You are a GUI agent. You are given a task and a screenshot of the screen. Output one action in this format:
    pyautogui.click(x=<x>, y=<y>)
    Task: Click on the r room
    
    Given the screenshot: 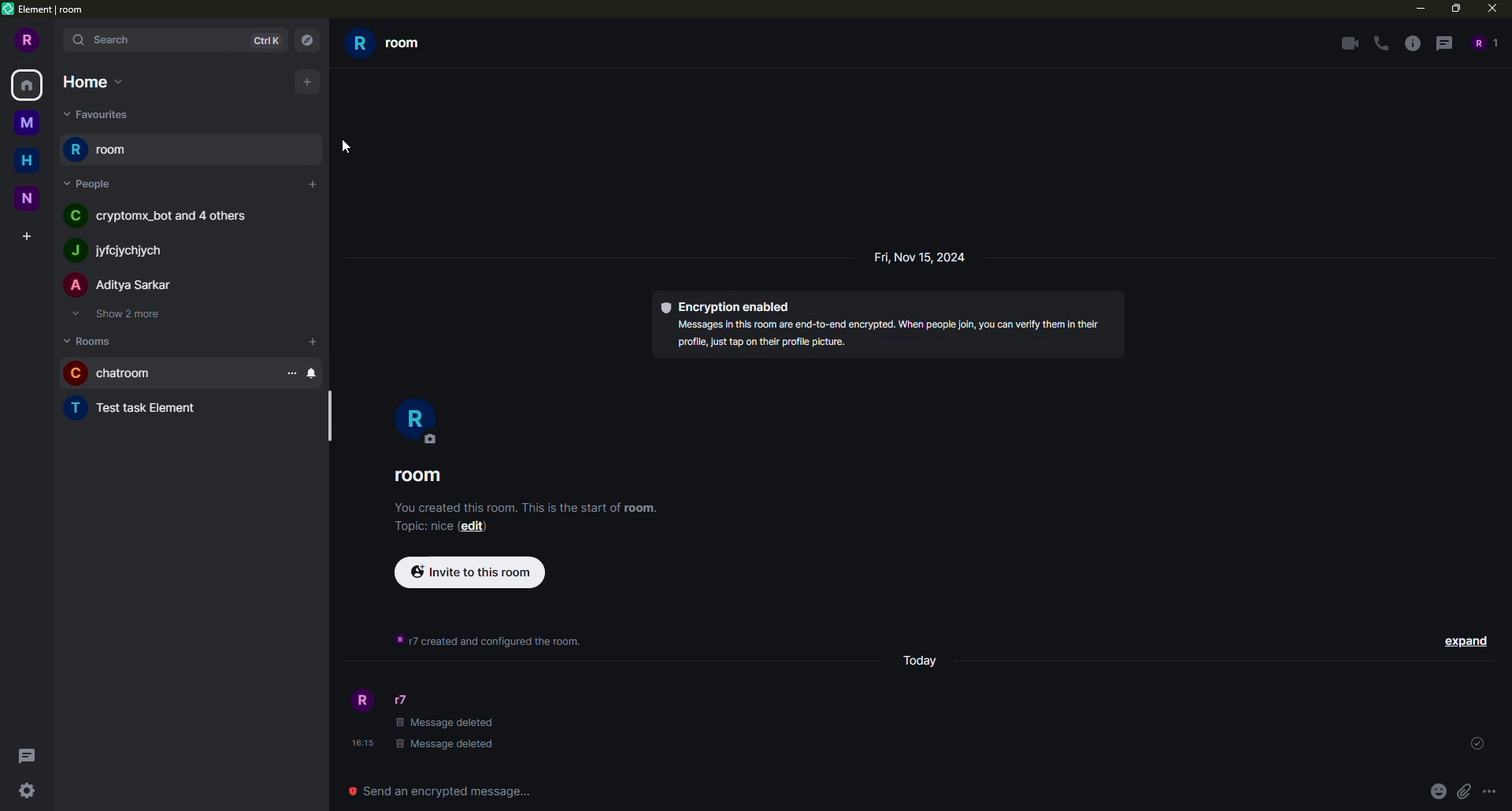 What is the action you would take?
    pyautogui.click(x=405, y=46)
    